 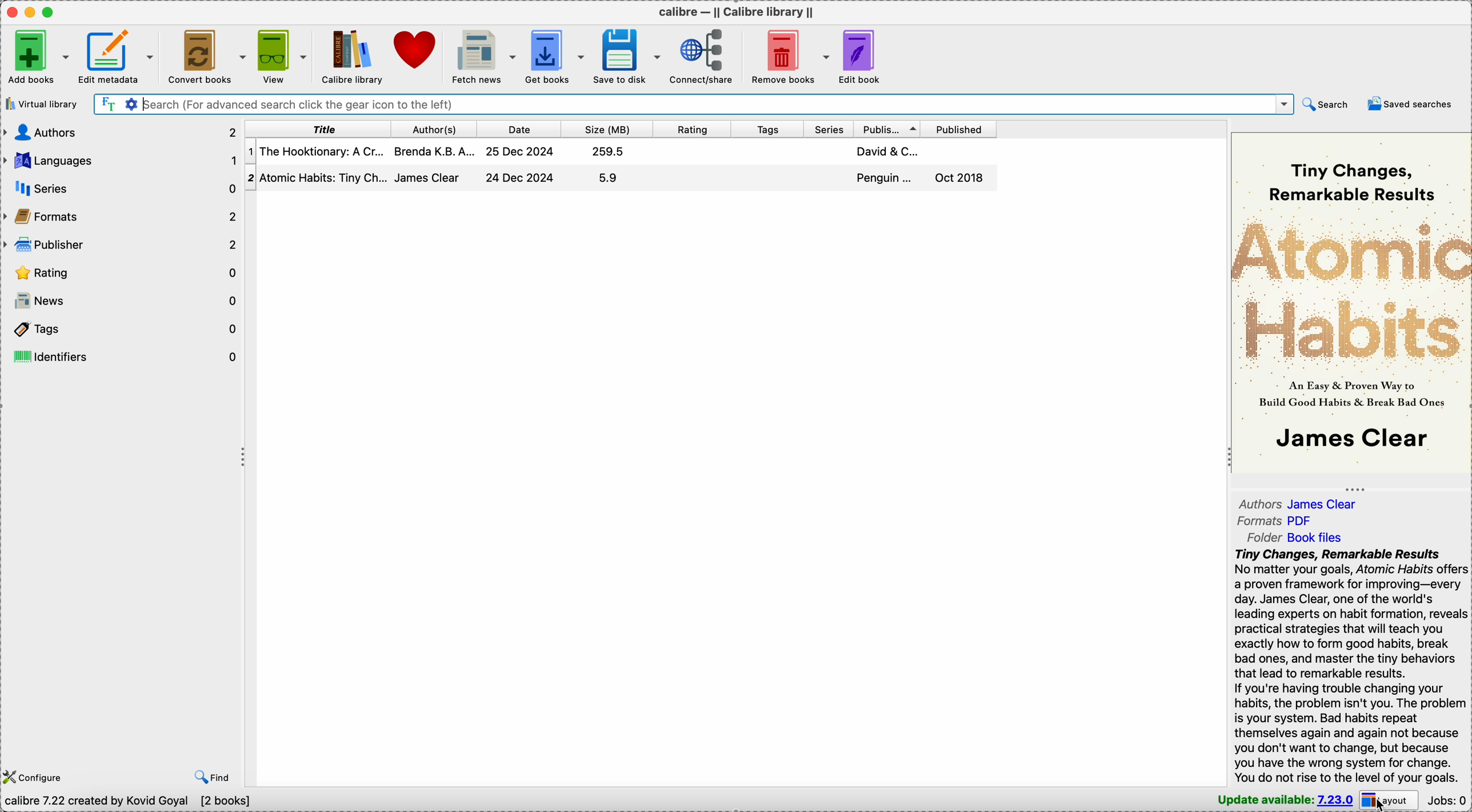 What do you see at coordinates (1355, 490) in the screenshot?
I see `toggle expand/contract` at bounding box center [1355, 490].